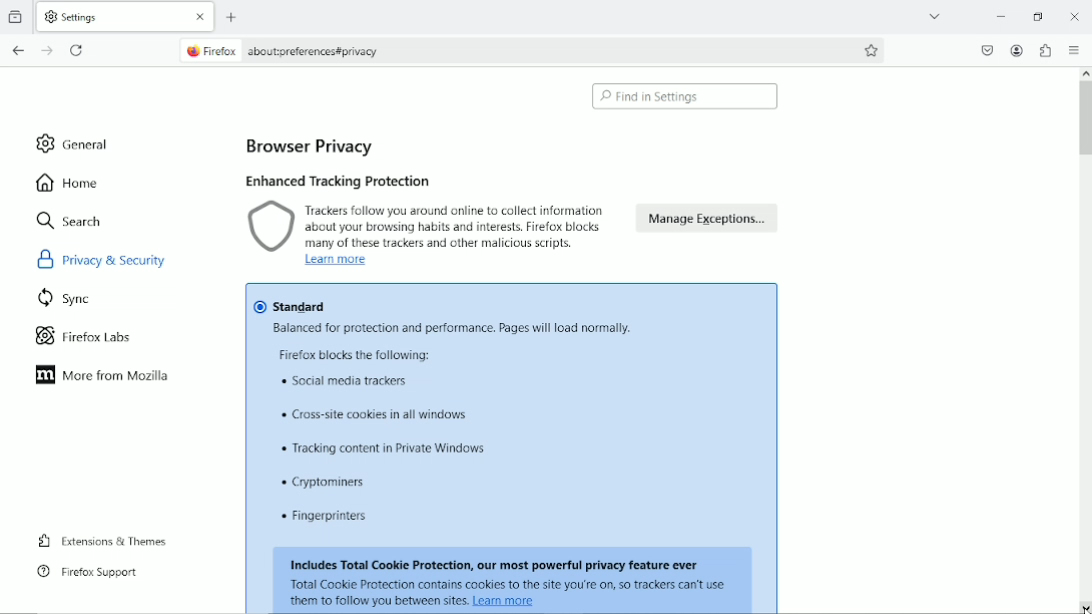 The width and height of the screenshot is (1092, 614). Describe the element at coordinates (210, 50) in the screenshot. I see `firefox` at that location.